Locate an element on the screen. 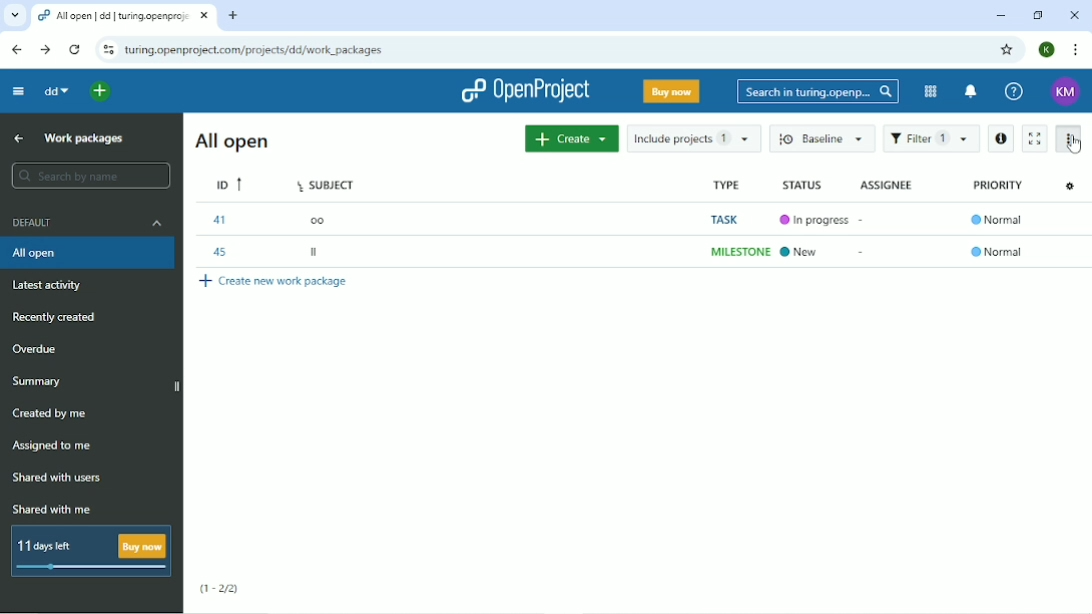 The width and height of the screenshot is (1092, 614). Default is located at coordinates (88, 223).